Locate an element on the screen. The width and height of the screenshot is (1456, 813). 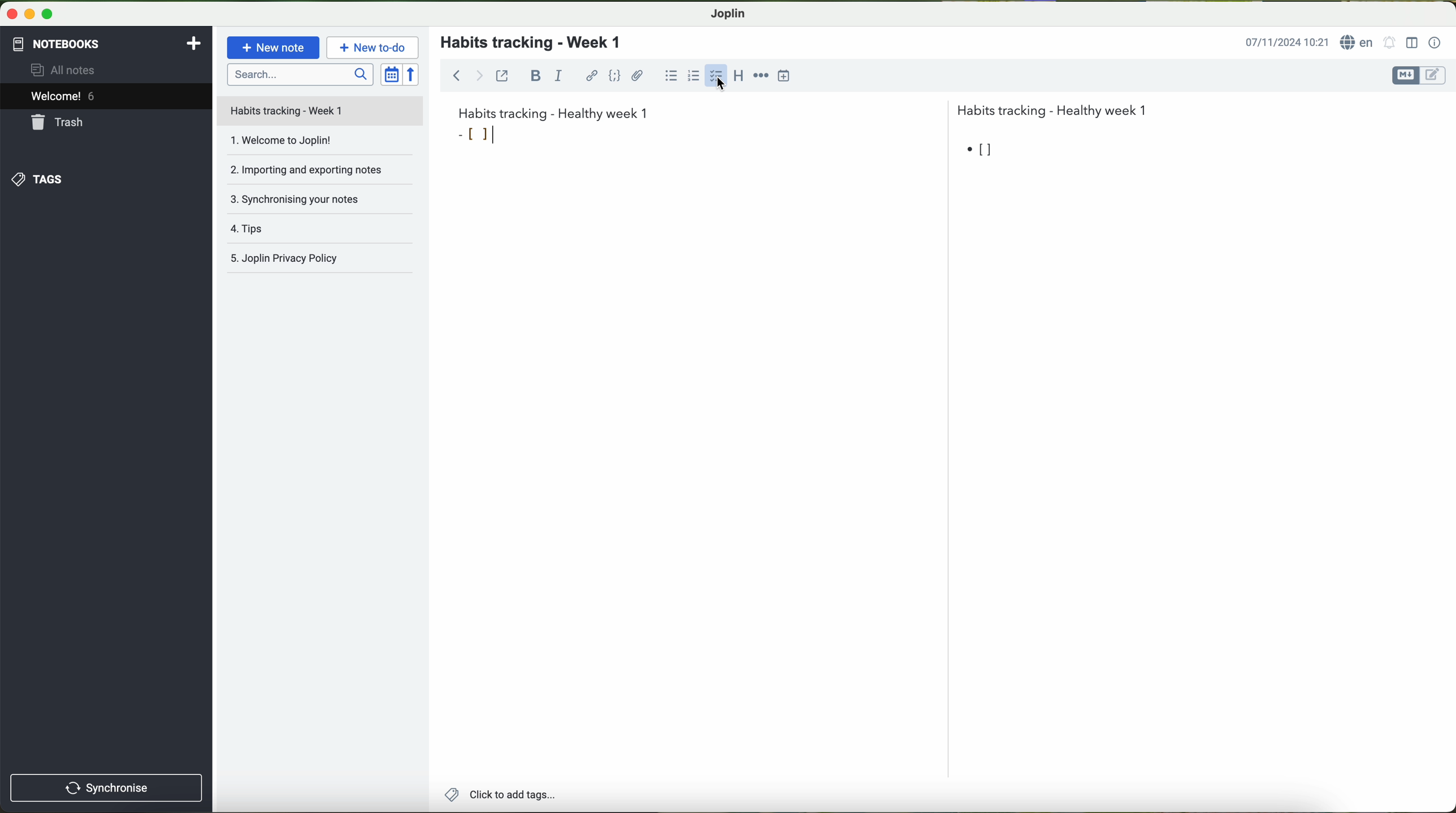
insert time is located at coordinates (784, 76).